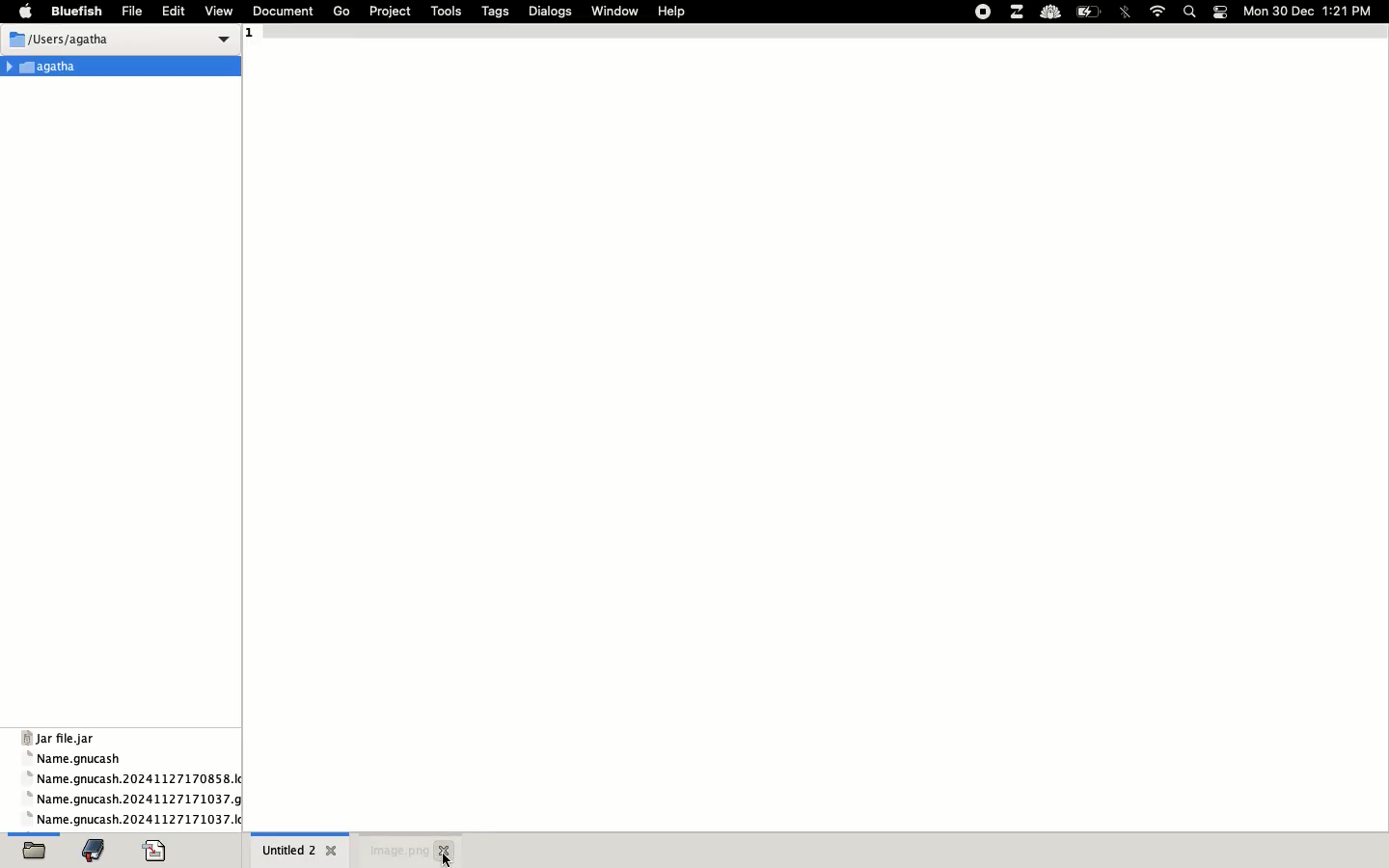 The image size is (1389, 868). What do you see at coordinates (132, 13) in the screenshot?
I see `file` at bounding box center [132, 13].